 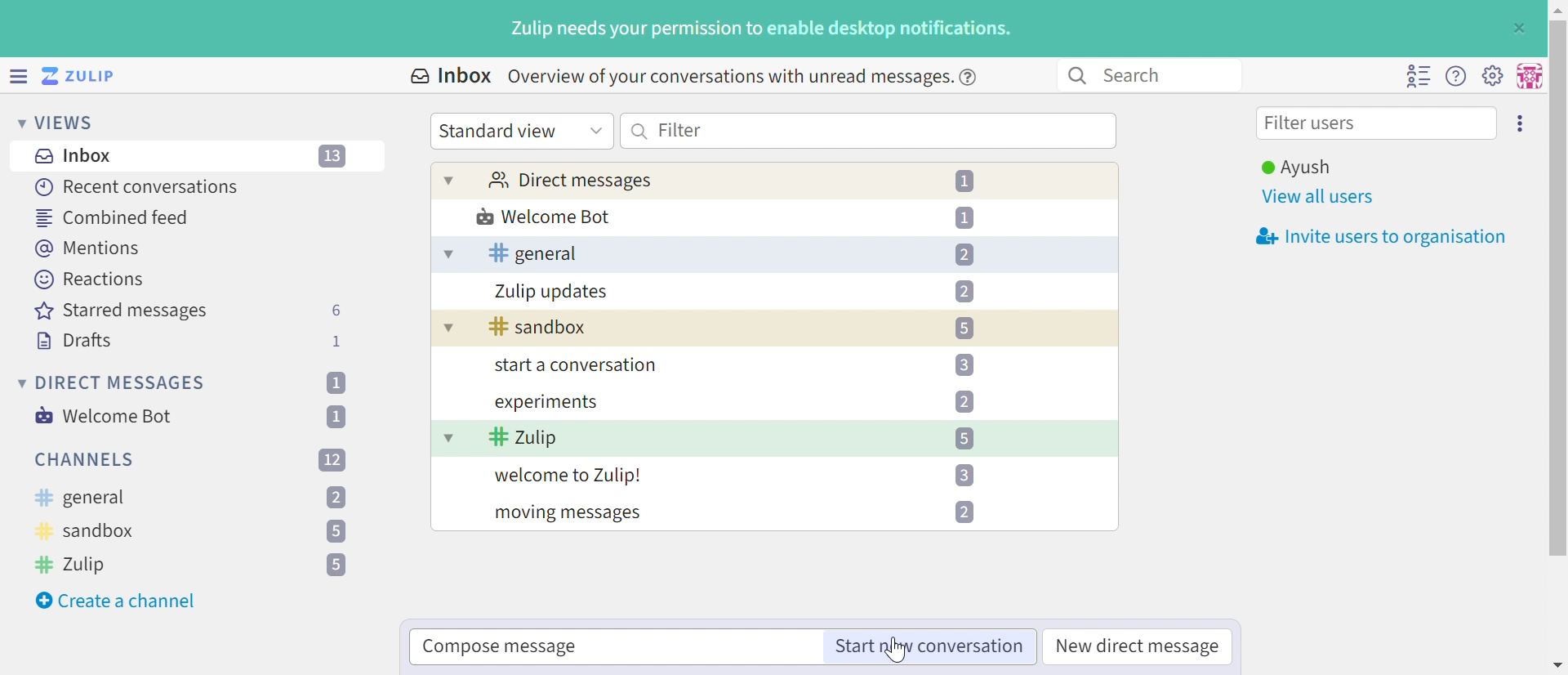 I want to click on general, so click(x=532, y=253).